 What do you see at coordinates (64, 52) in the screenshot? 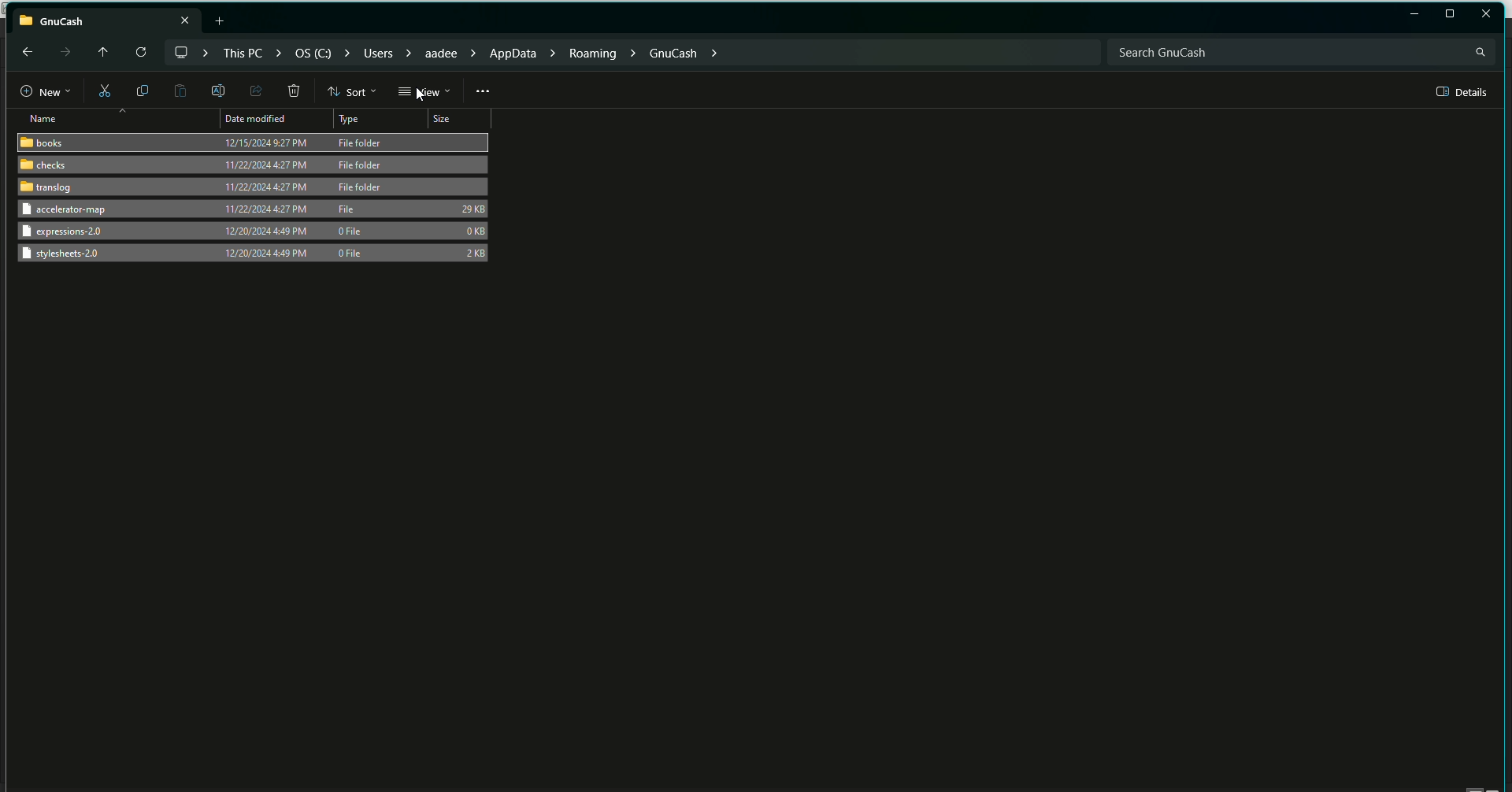
I see `Forward` at bounding box center [64, 52].